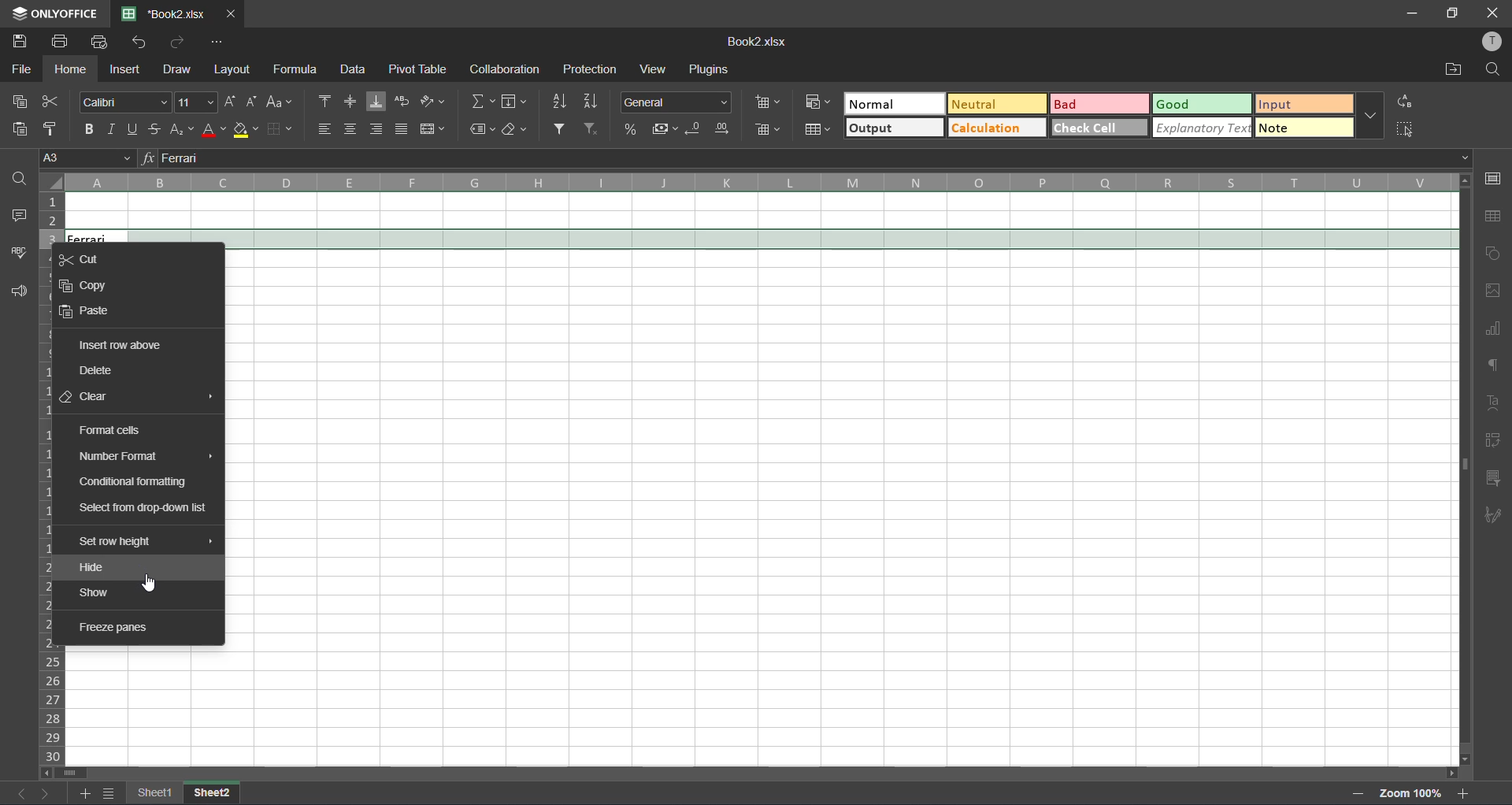 This screenshot has height=805, width=1512. Describe the element at coordinates (13, 128) in the screenshot. I see `paste` at that location.